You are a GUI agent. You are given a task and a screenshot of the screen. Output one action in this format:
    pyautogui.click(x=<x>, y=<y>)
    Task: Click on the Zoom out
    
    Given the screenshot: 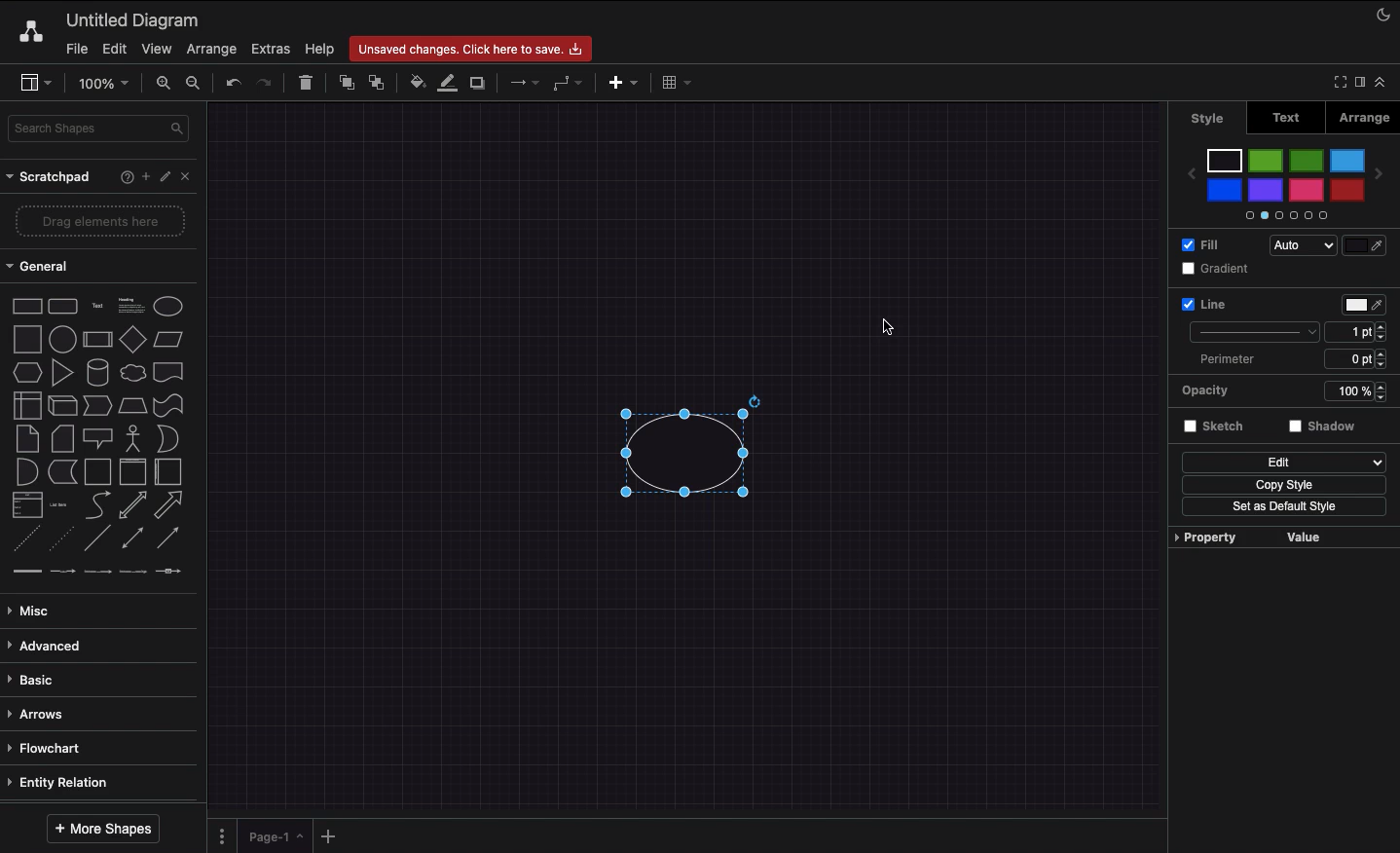 What is the action you would take?
    pyautogui.click(x=196, y=85)
    